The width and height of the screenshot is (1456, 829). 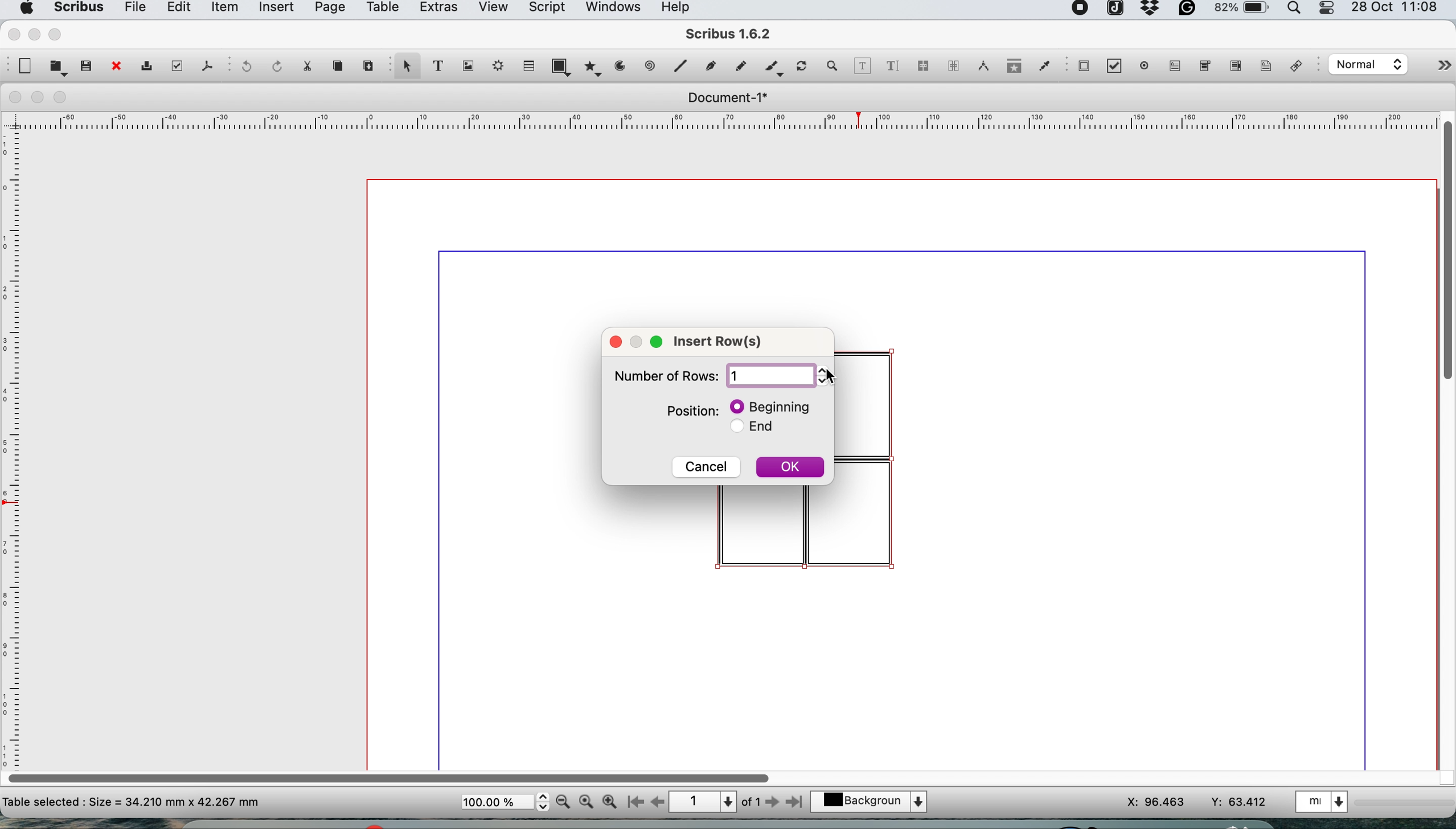 I want to click on line, so click(x=679, y=65).